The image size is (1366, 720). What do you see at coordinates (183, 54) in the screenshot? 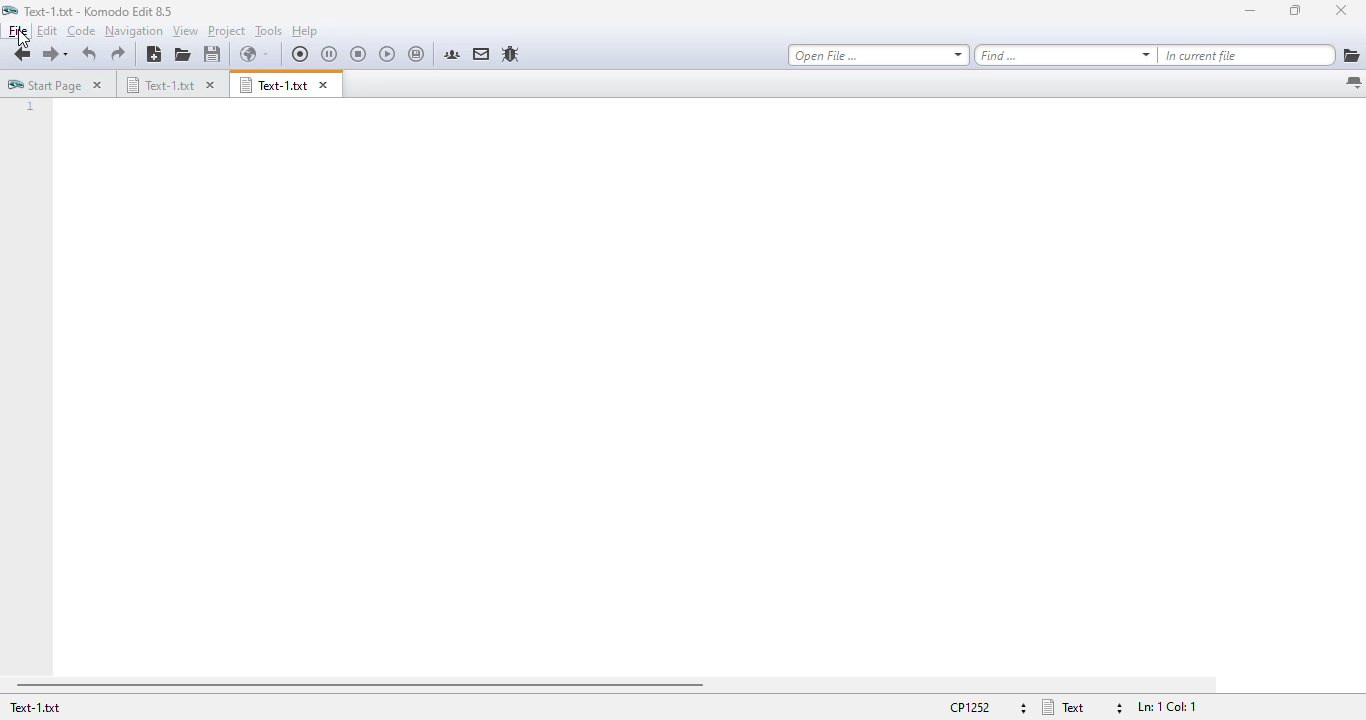
I see `open file` at bounding box center [183, 54].